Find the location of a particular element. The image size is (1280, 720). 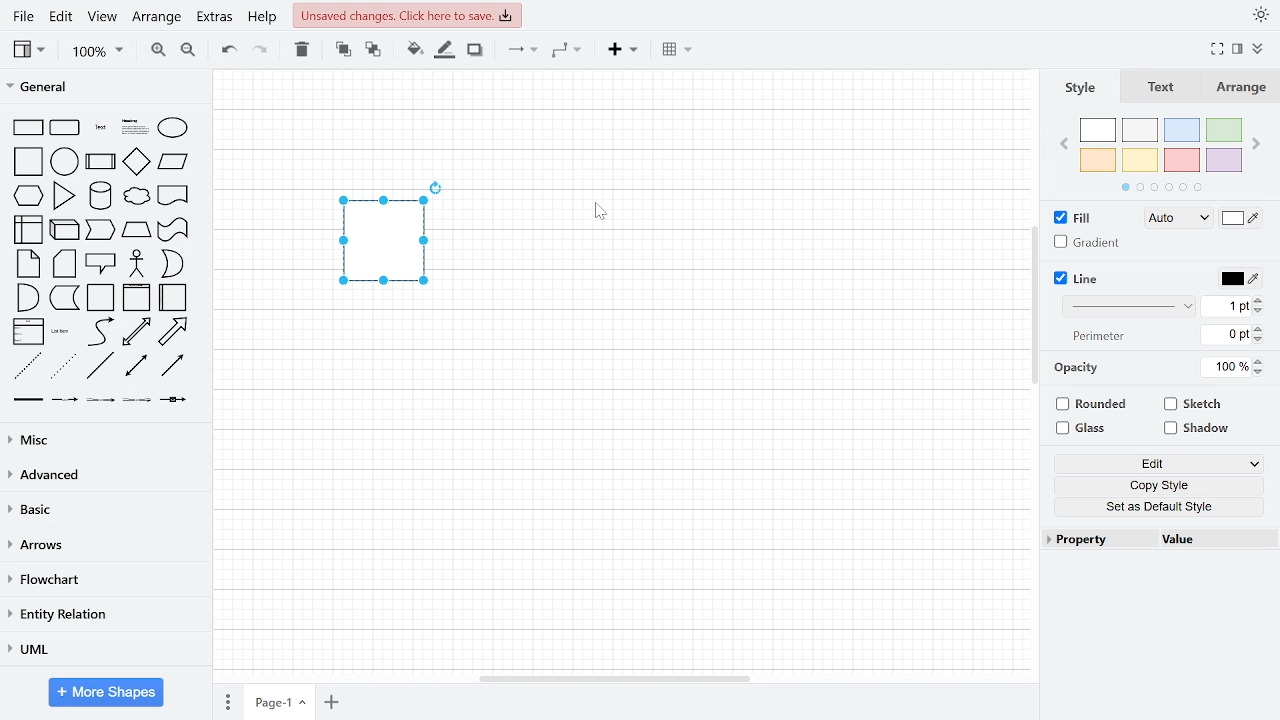

decrease line width is located at coordinates (1260, 313).